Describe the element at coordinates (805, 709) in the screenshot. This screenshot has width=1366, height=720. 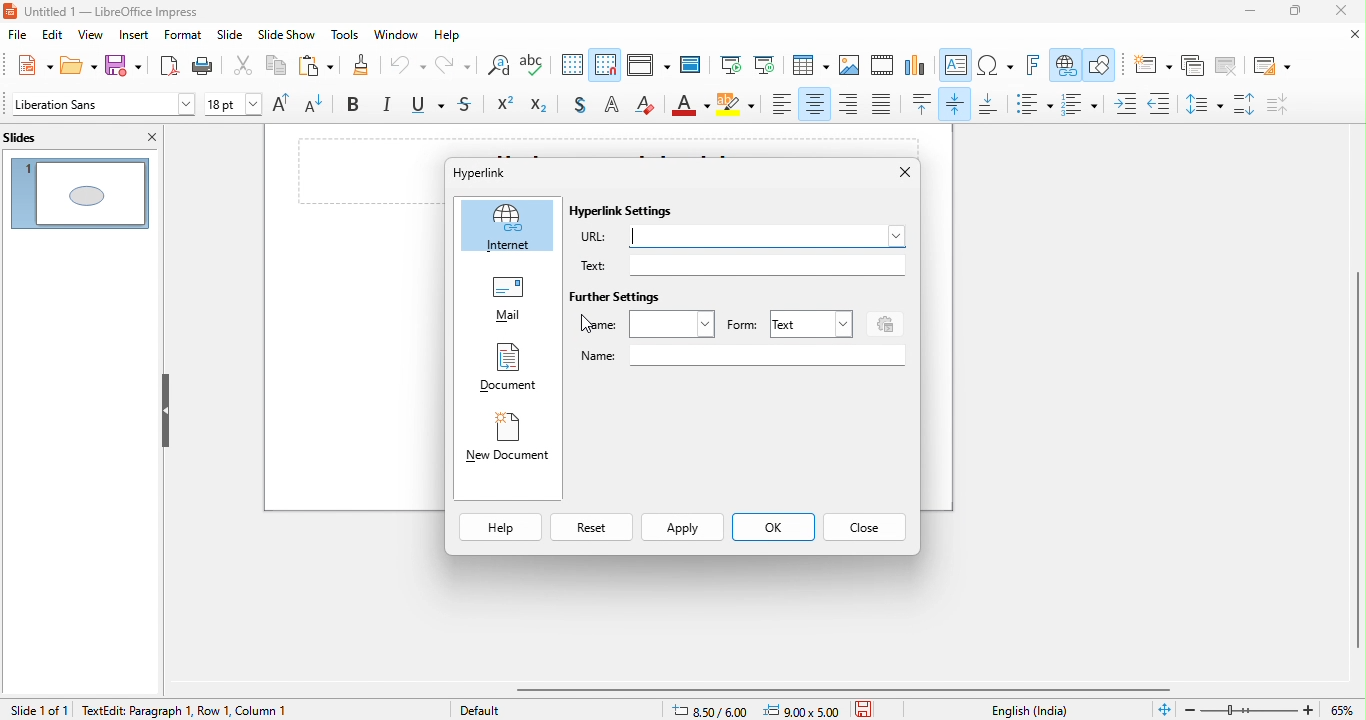
I see `9.00 x5.00` at that location.